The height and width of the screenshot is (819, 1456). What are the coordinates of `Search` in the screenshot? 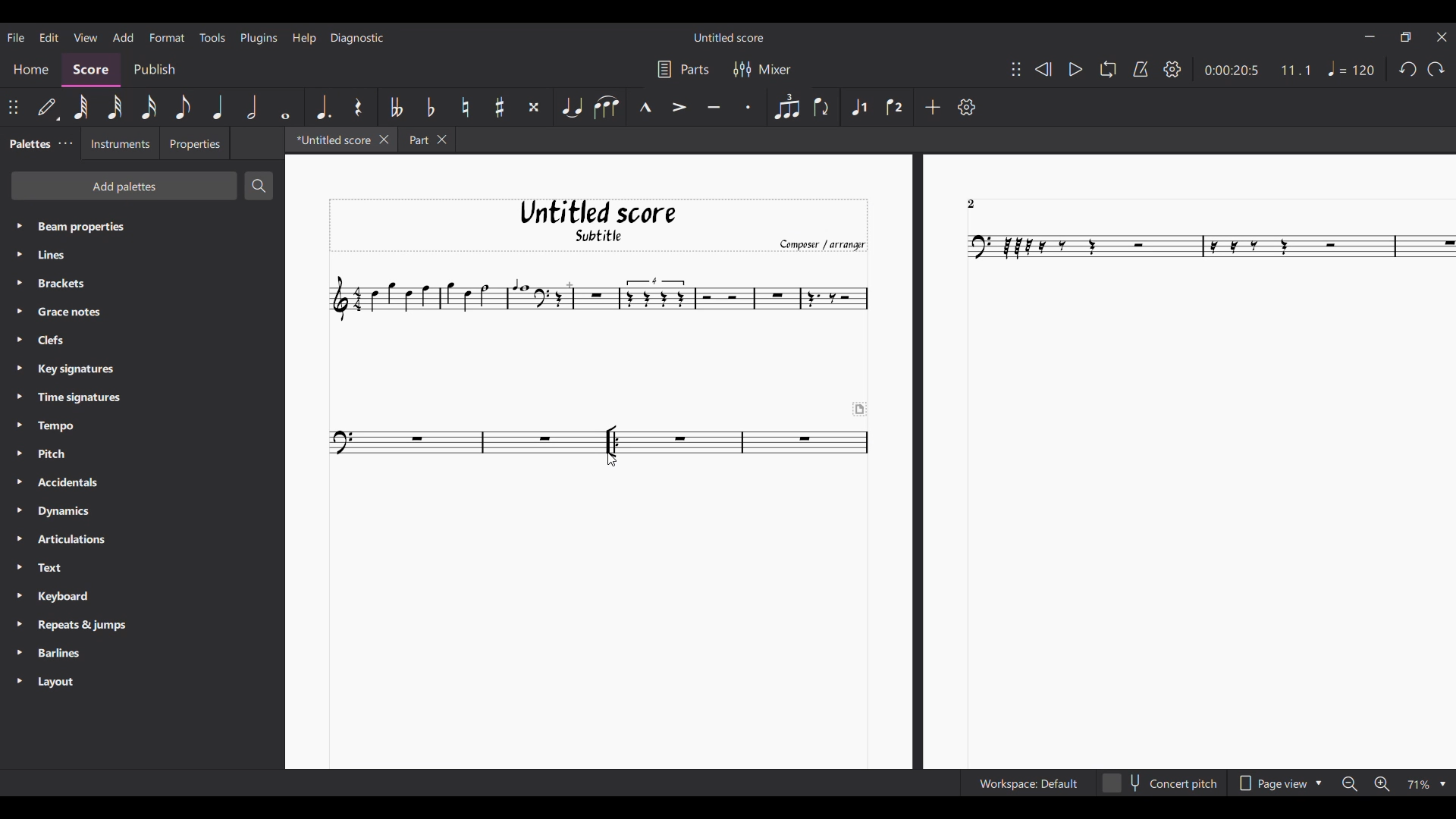 It's located at (259, 185).